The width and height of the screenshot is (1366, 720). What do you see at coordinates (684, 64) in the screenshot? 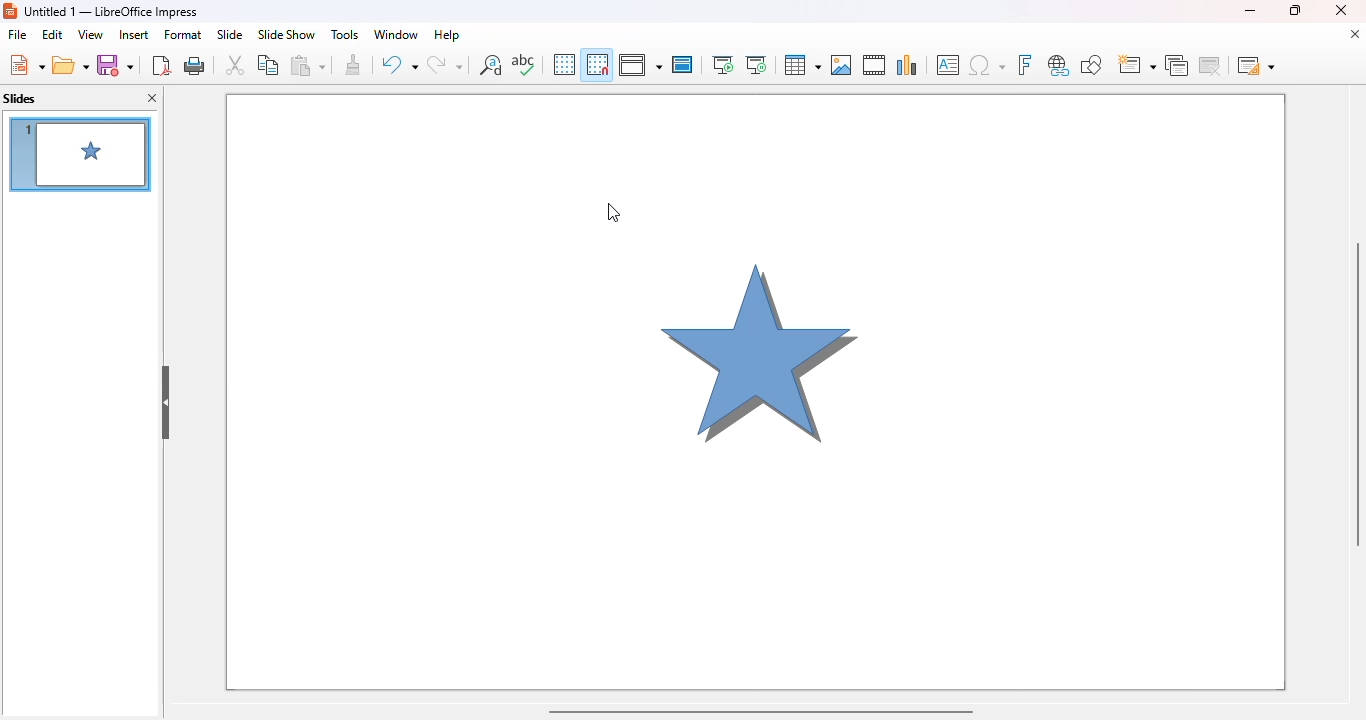
I see `master slide` at bounding box center [684, 64].